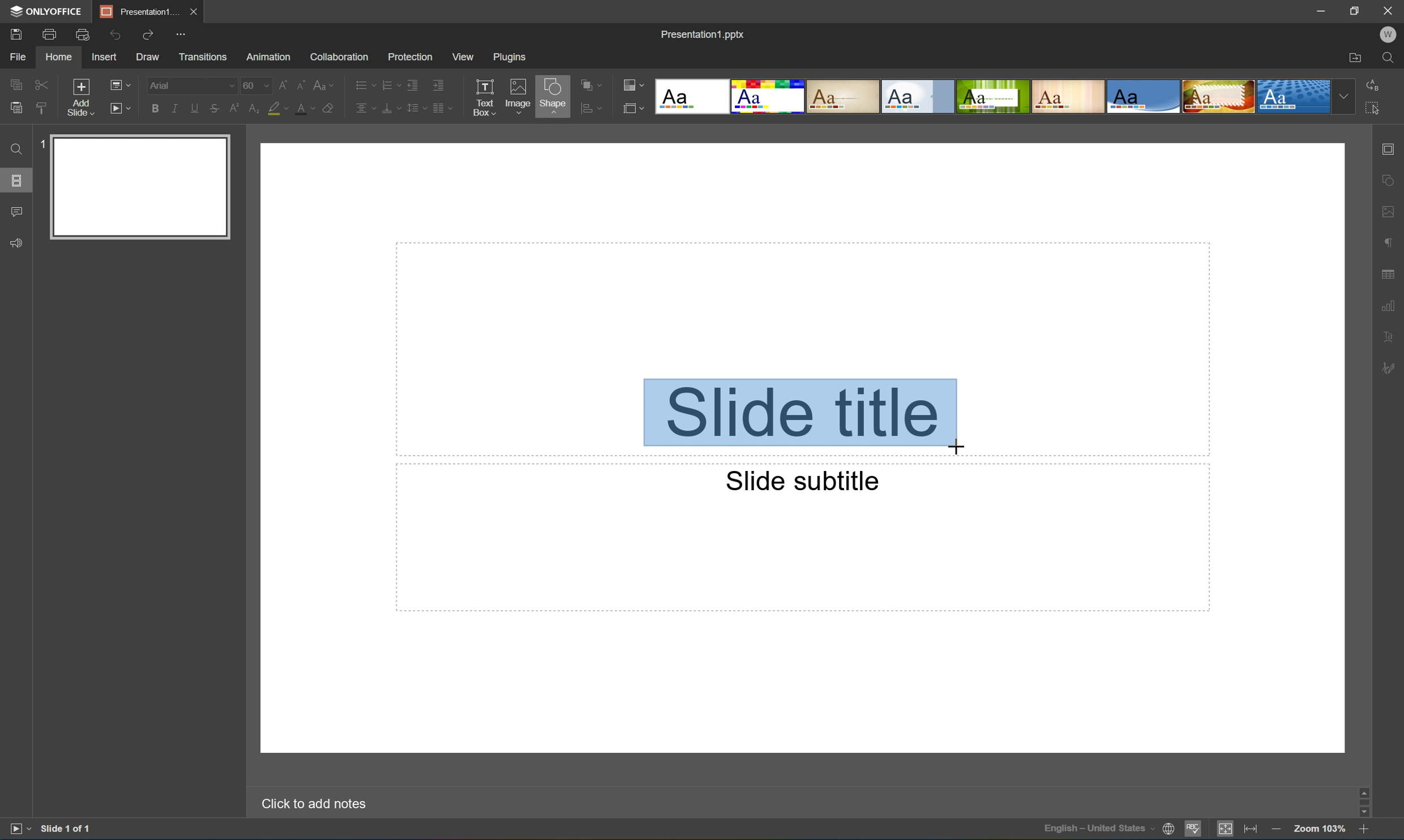 This screenshot has width=1404, height=840. What do you see at coordinates (116, 34) in the screenshot?
I see `Undo` at bounding box center [116, 34].